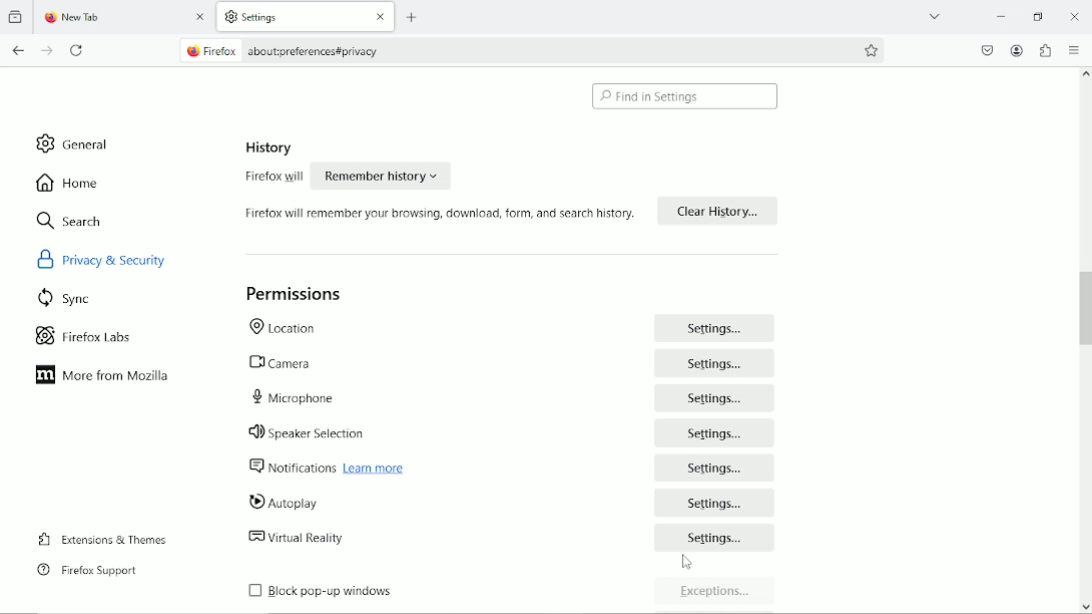  Describe the element at coordinates (713, 468) in the screenshot. I see `Settings...` at that location.